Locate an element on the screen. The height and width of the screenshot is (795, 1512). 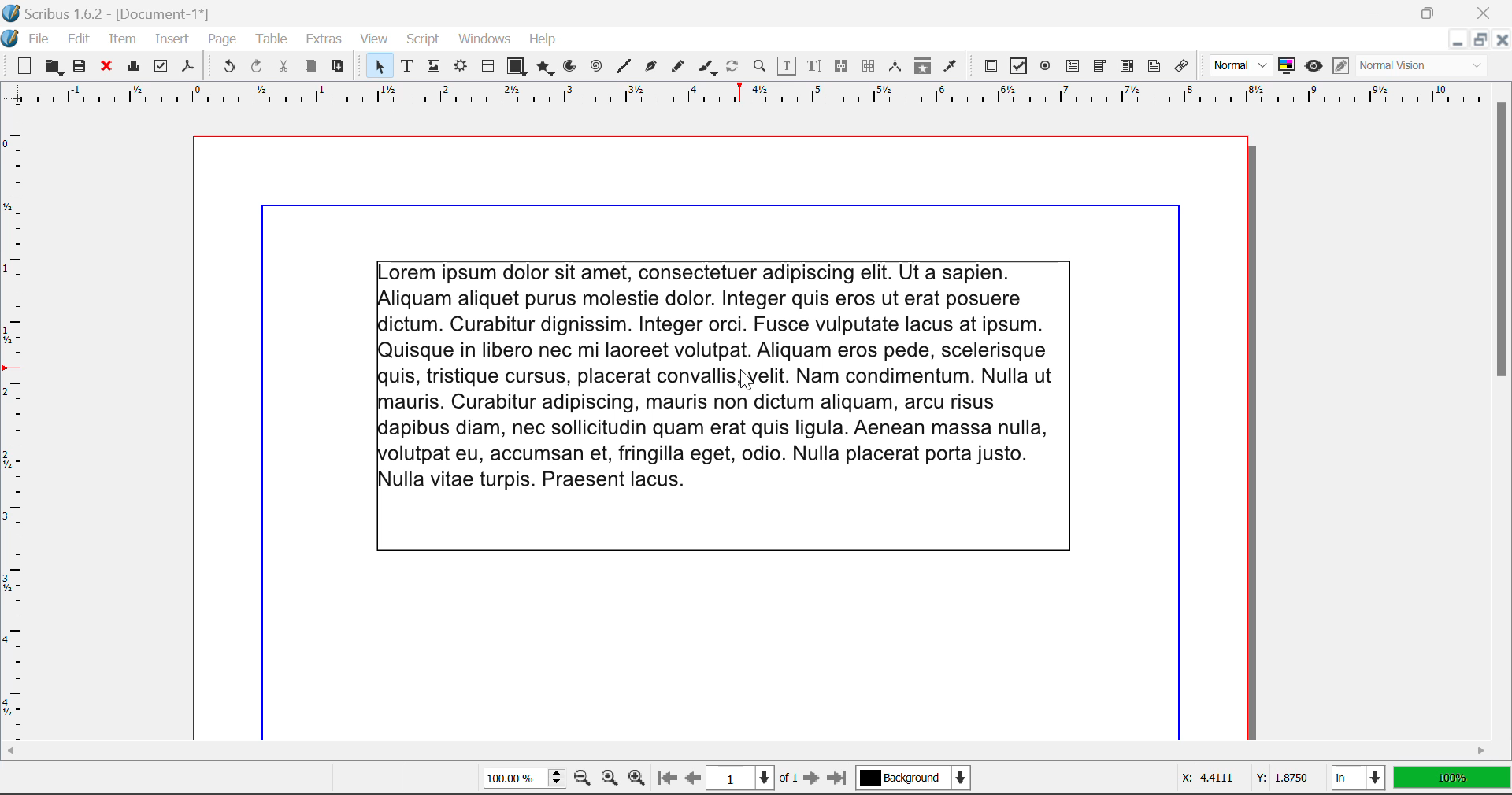
Page 1 of 1 is located at coordinates (752, 780).